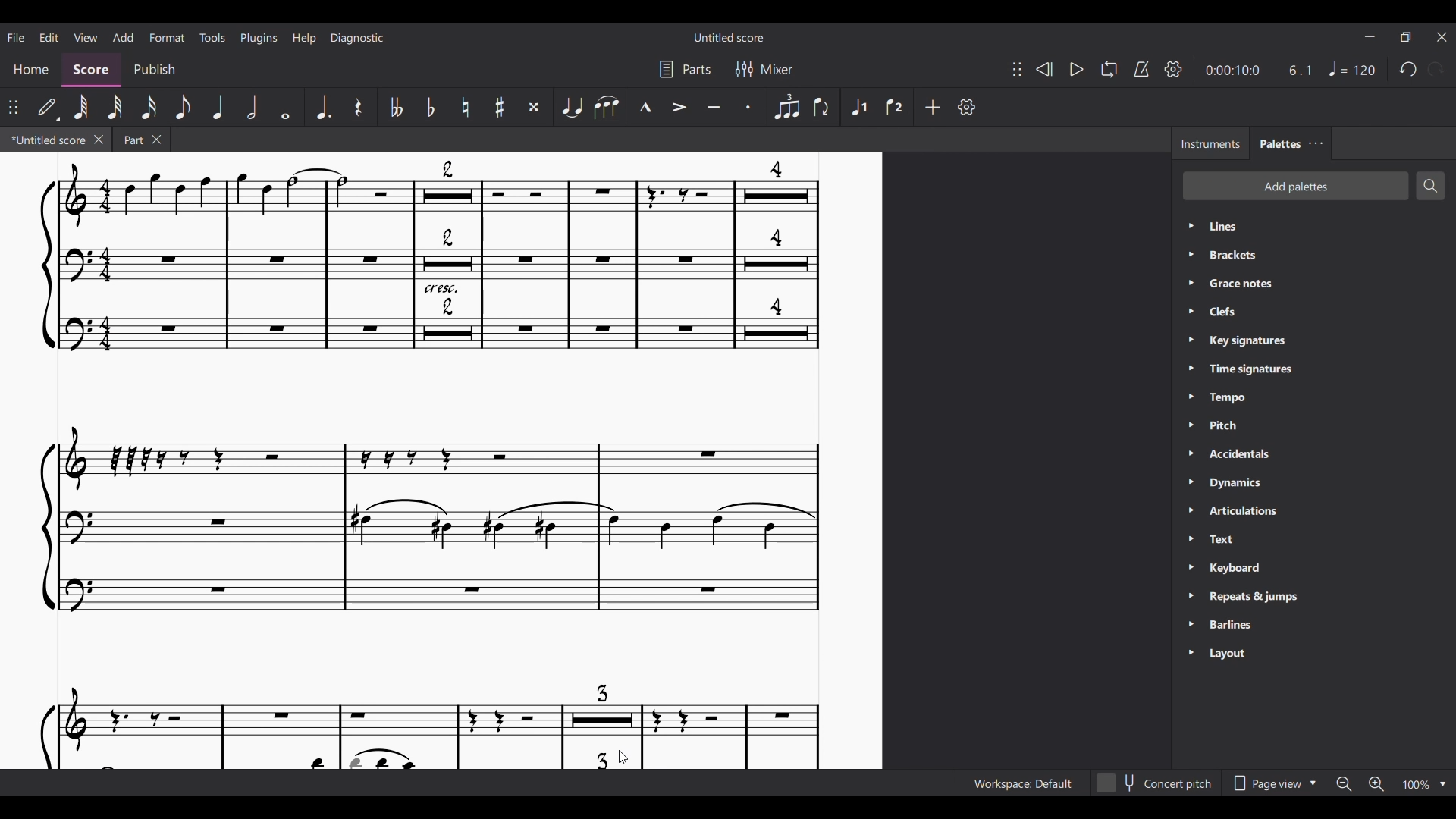  I want to click on File menu, so click(16, 37).